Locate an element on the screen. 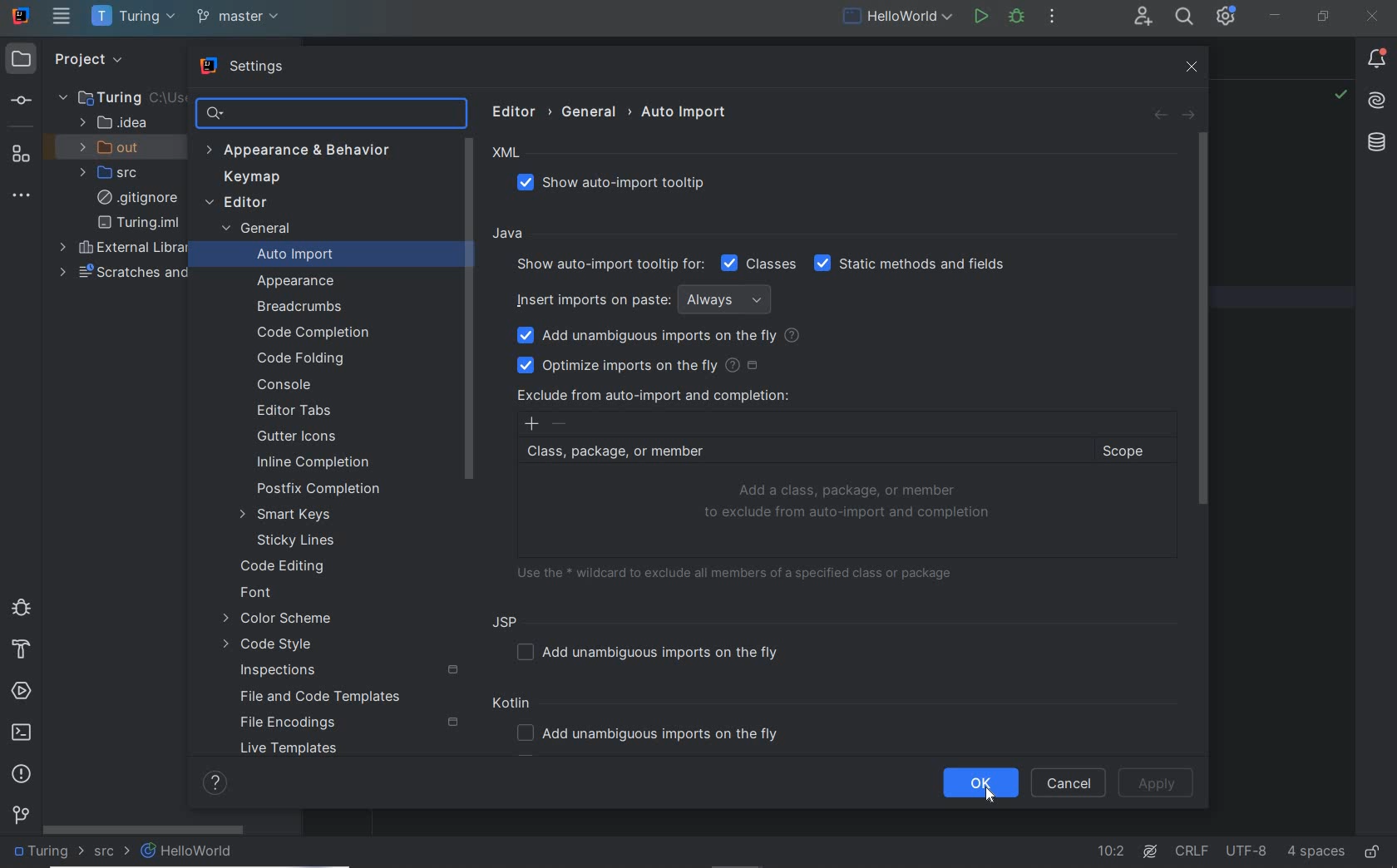  commit is located at coordinates (20, 102).